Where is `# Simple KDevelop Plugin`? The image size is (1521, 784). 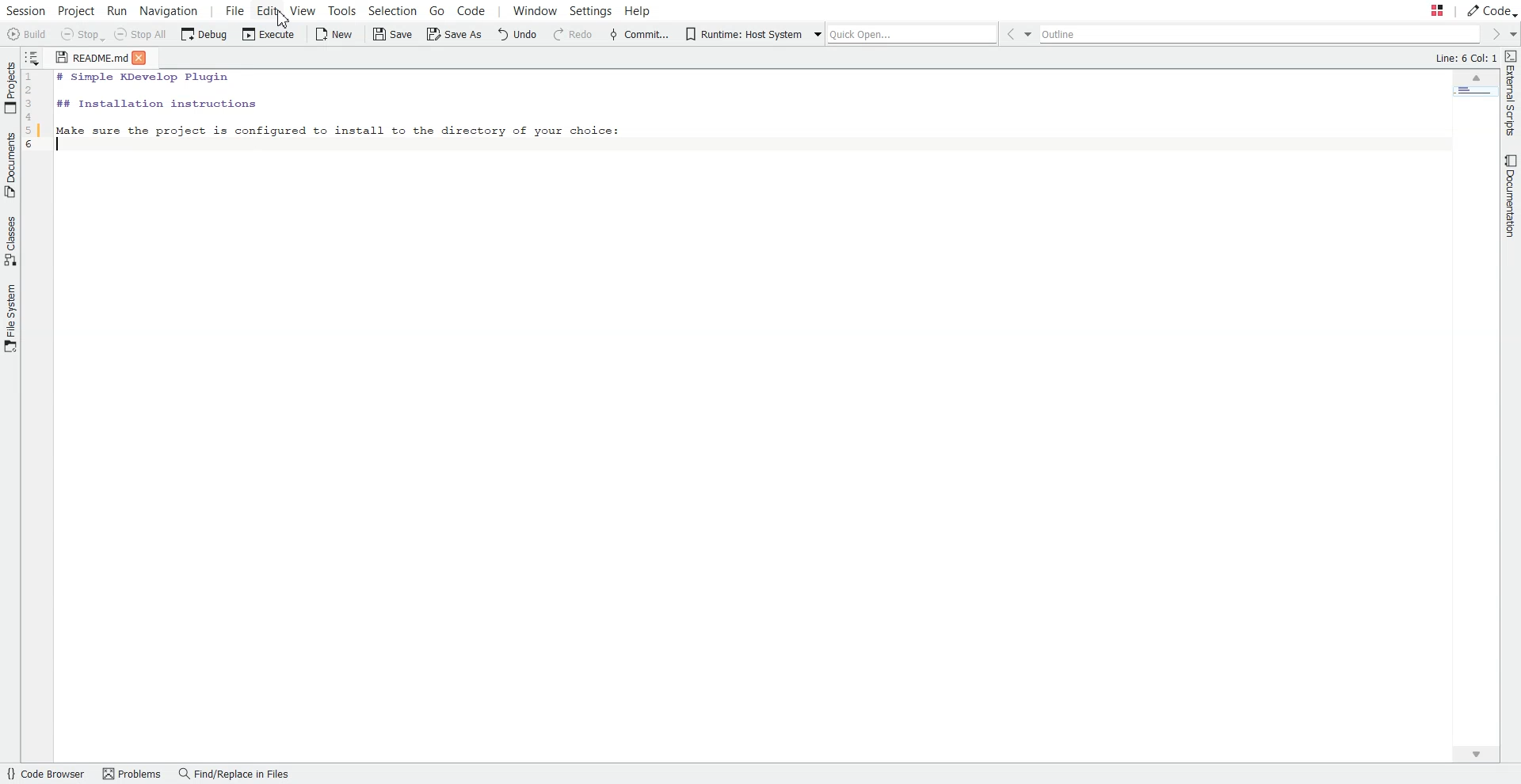
# Simple KDevelop Plugin is located at coordinates (144, 78).